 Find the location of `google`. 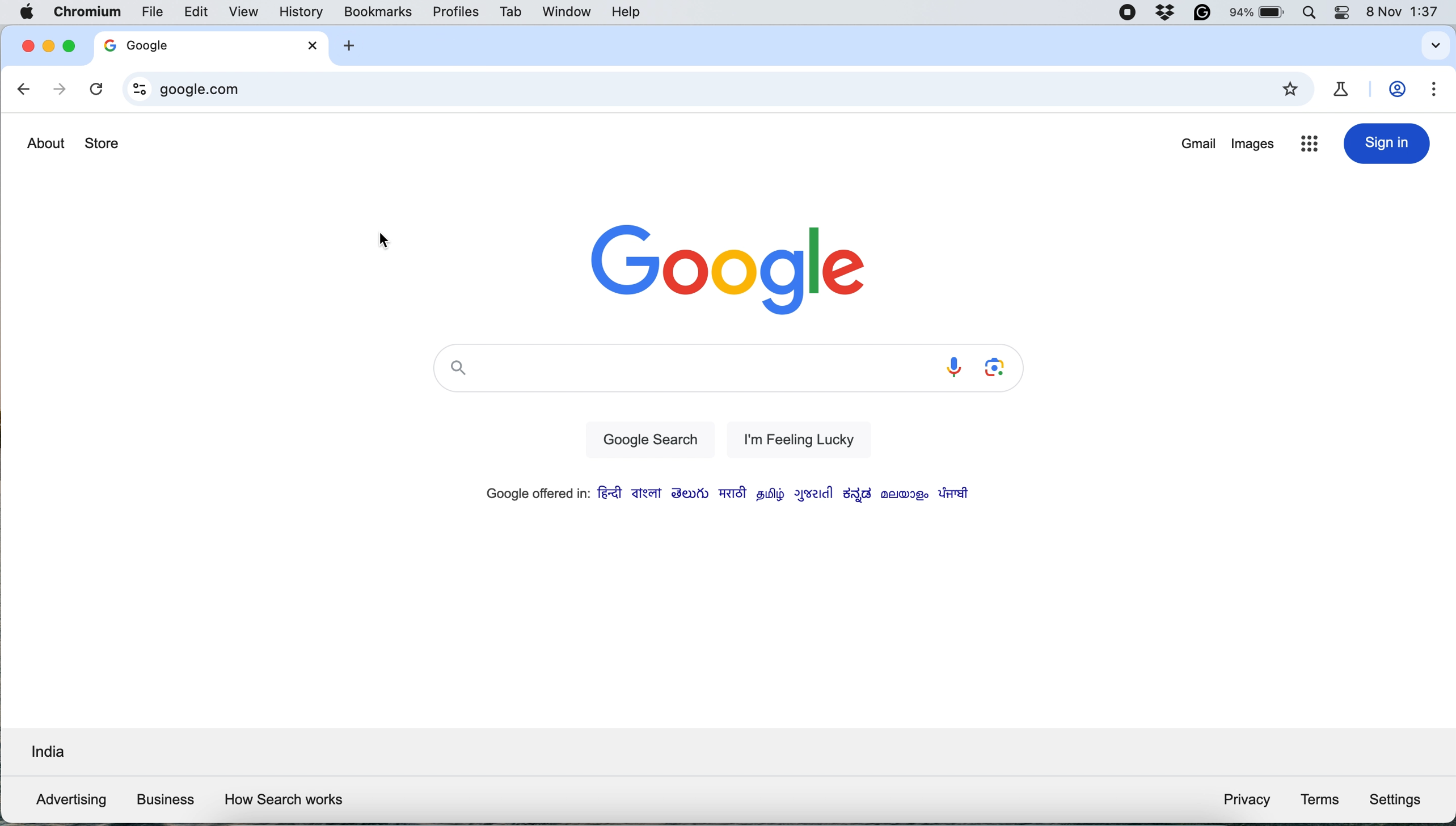

google is located at coordinates (729, 266).